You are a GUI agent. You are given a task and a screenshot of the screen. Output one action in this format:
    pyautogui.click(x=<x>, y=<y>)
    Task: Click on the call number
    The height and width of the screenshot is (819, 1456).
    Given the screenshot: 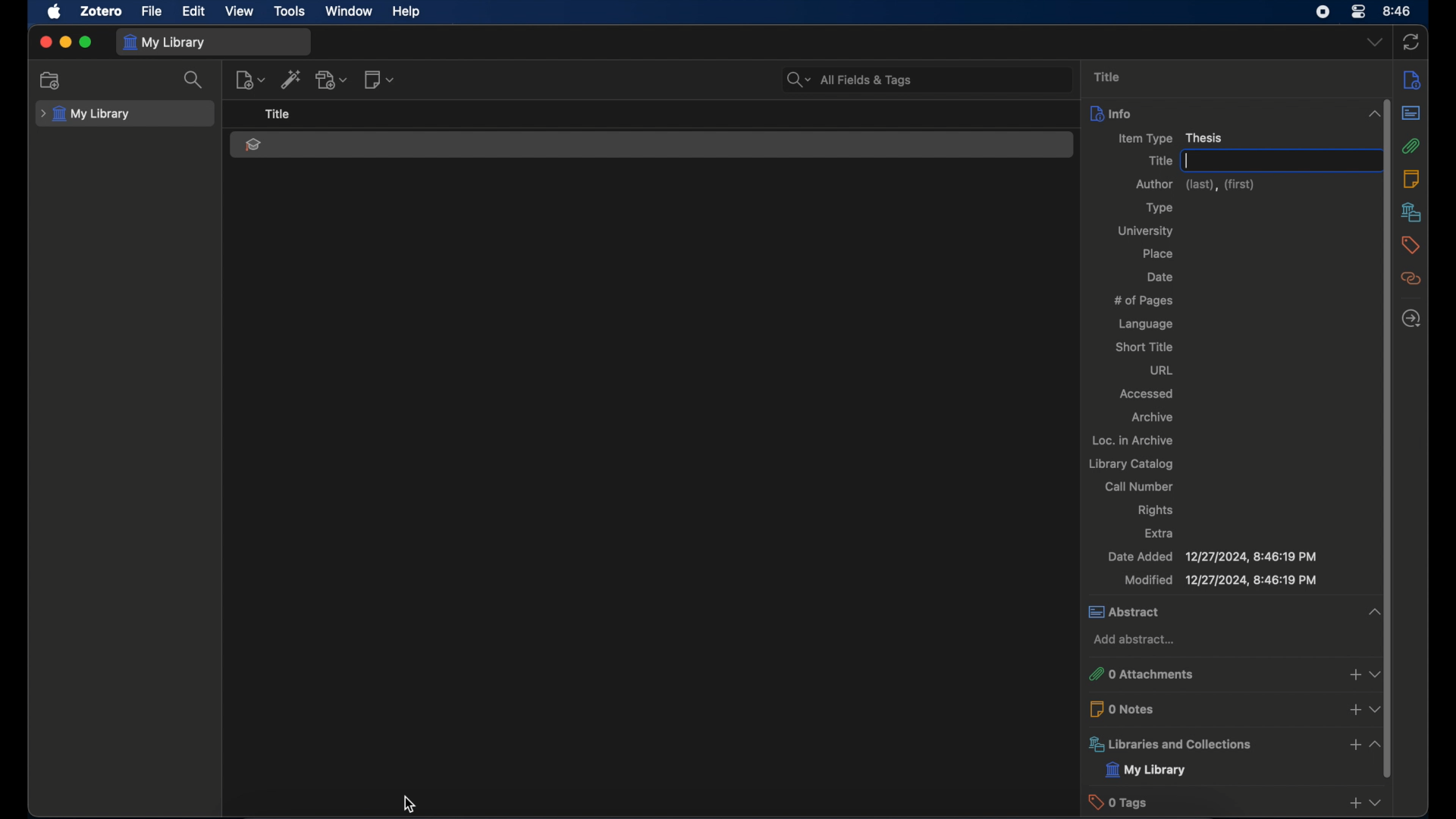 What is the action you would take?
    pyautogui.click(x=1139, y=486)
    